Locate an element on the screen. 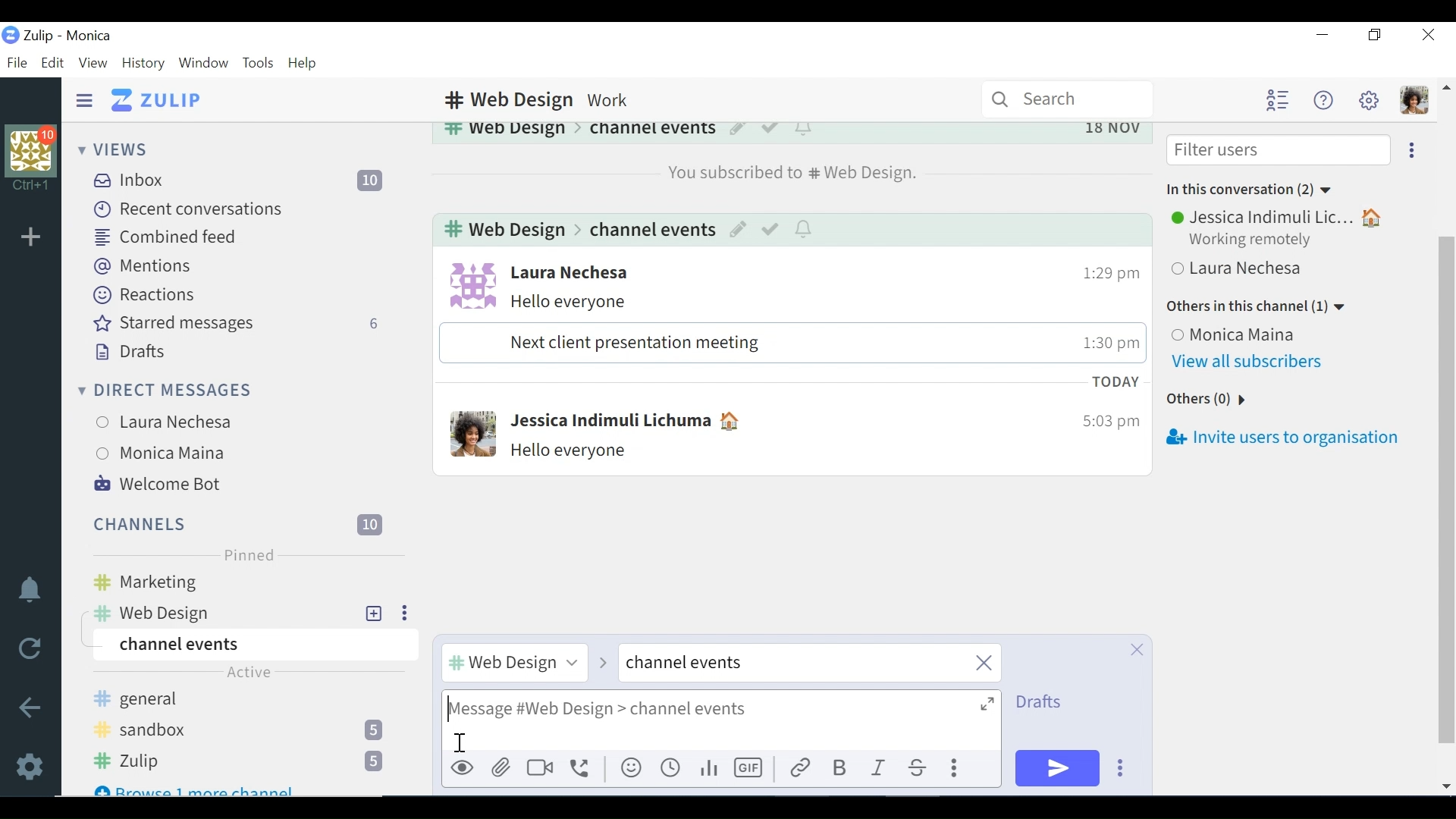 The image size is (1456, 819). Active label is located at coordinates (249, 676).